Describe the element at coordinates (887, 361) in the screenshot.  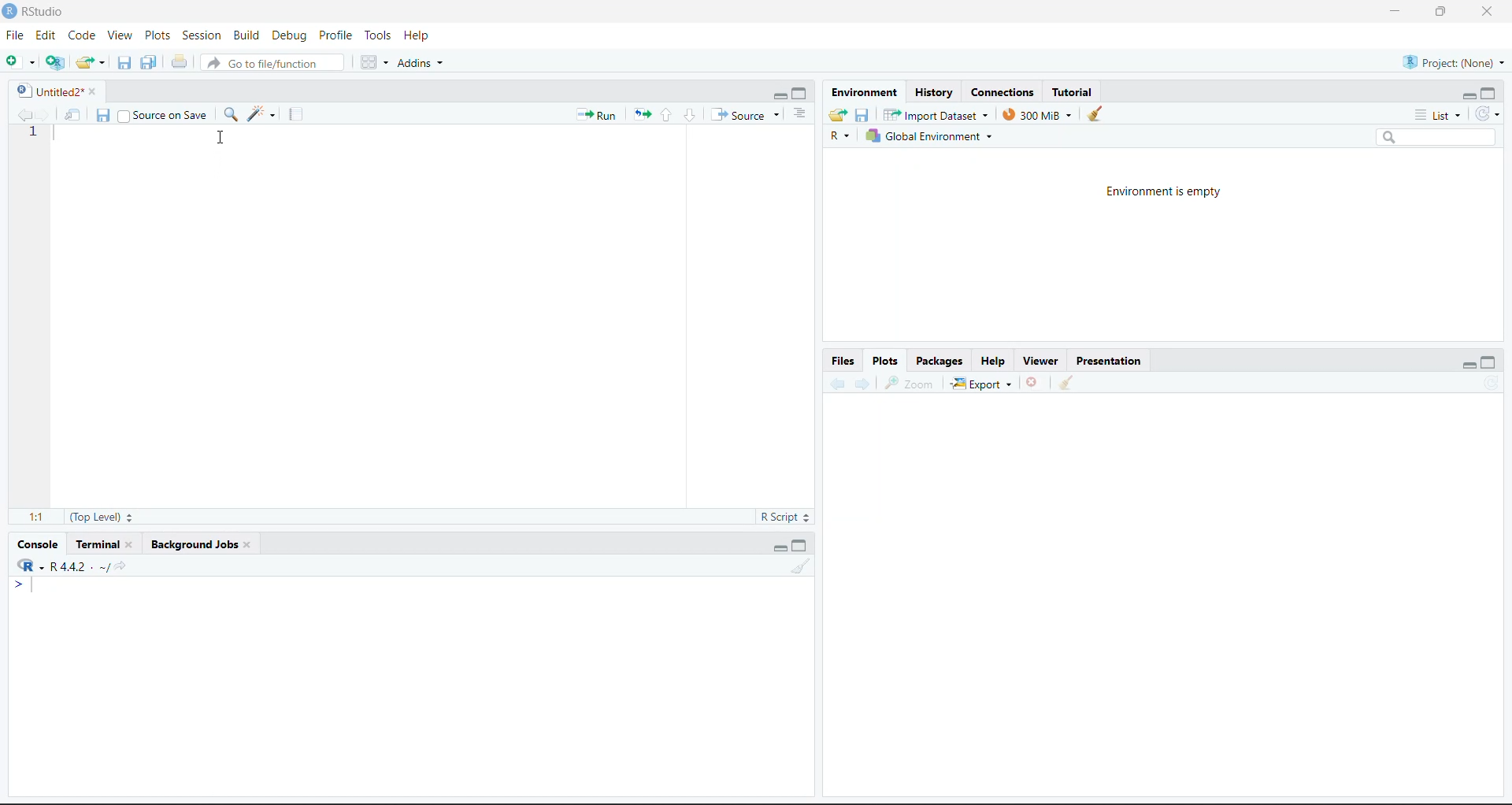
I see `Plots` at that location.